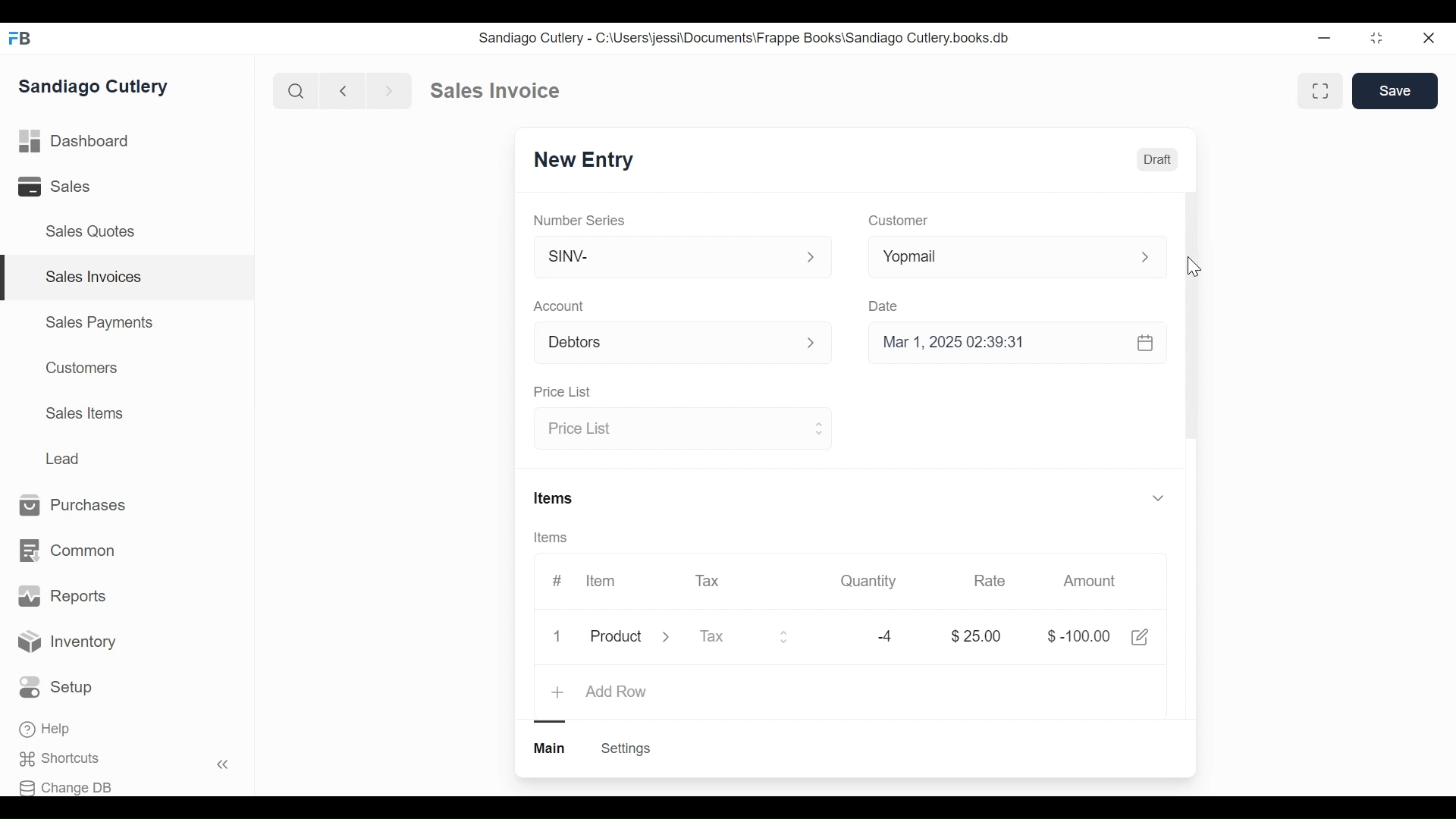 The width and height of the screenshot is (1456, 819). Describe the element at coordinates (56, 687) in the screenshot. I see `Setup` at that location.